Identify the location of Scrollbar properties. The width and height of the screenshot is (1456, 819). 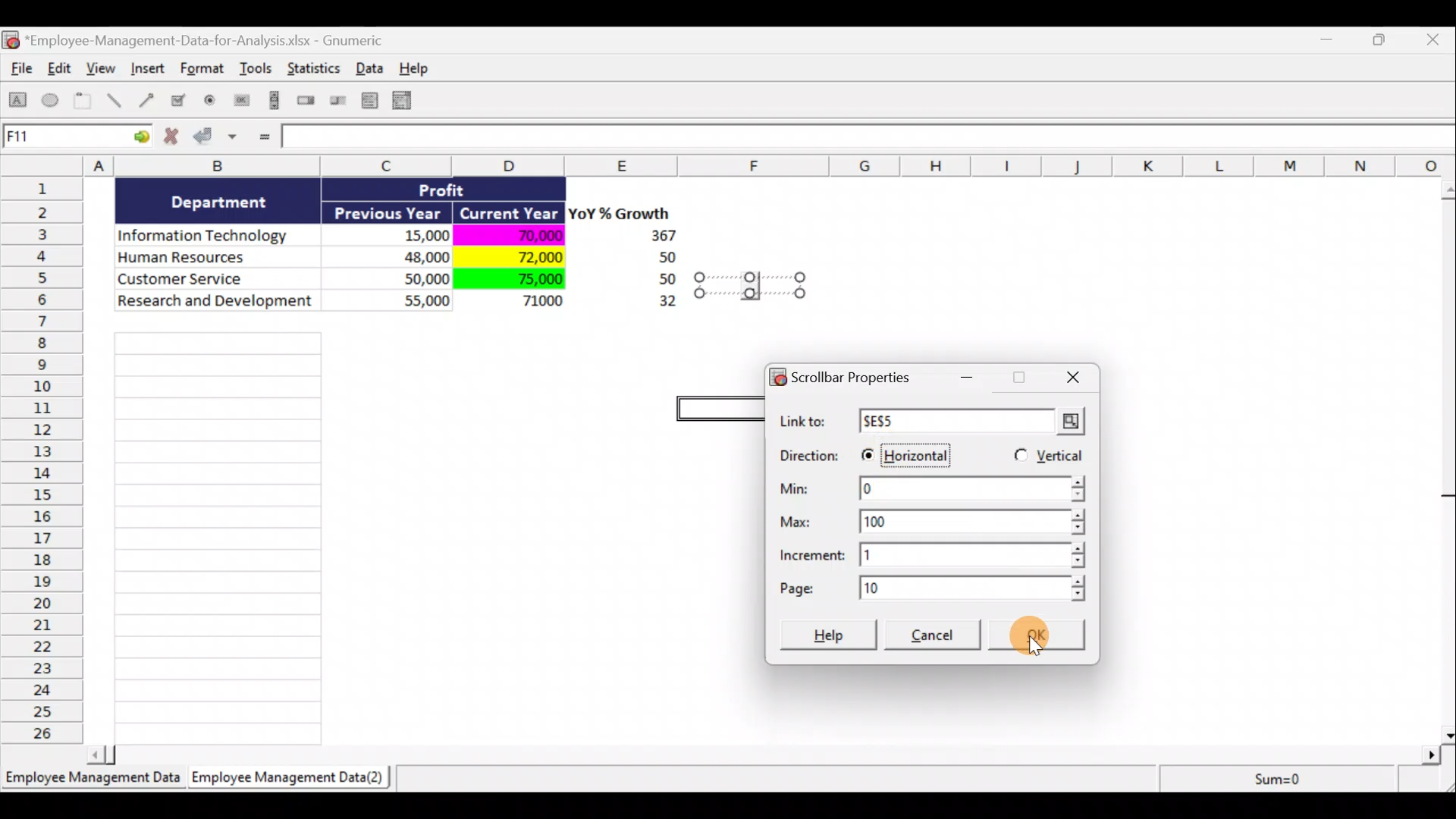
(848, 375).